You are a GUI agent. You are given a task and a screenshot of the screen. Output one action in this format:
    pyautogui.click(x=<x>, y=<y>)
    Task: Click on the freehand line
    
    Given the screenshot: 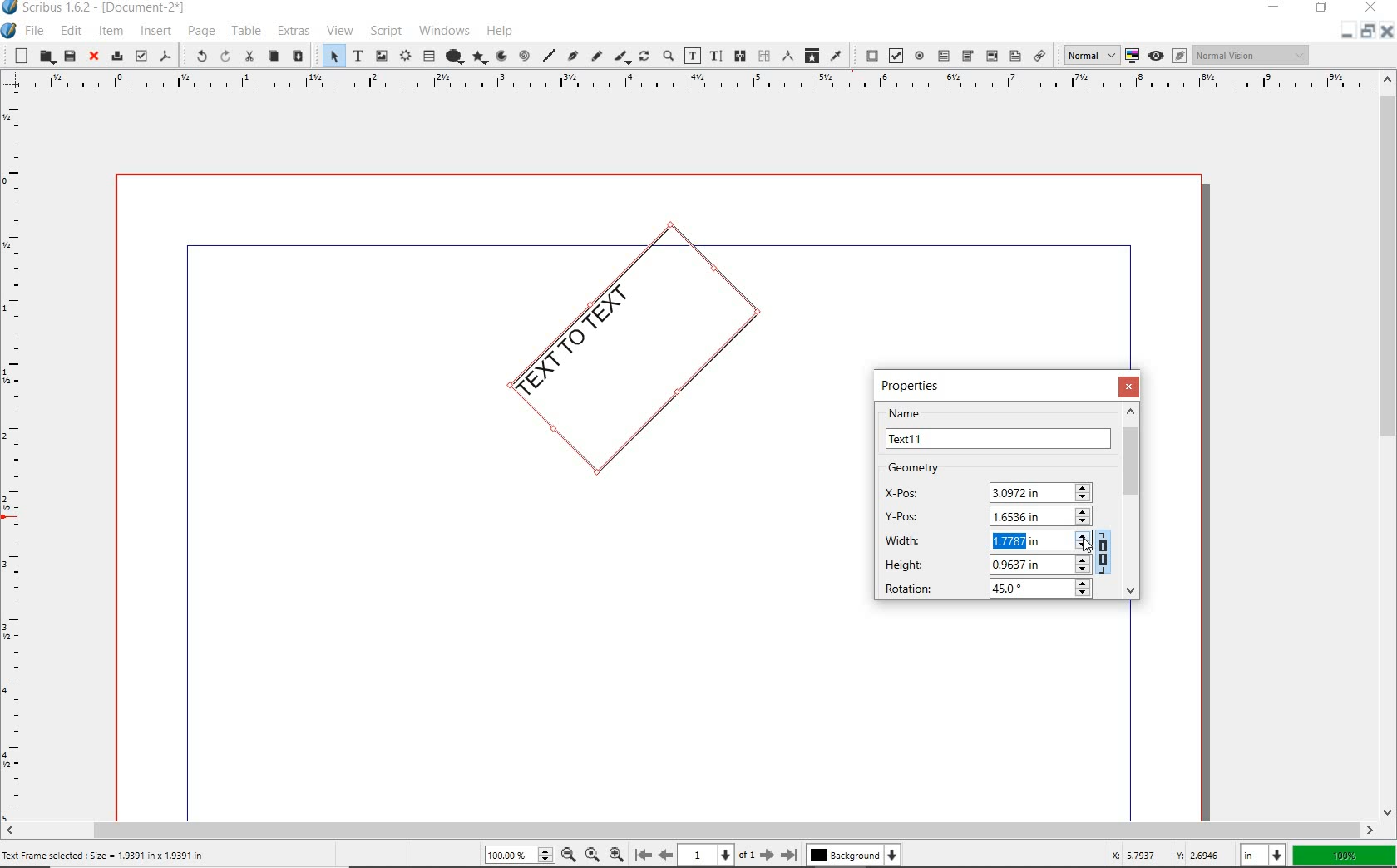 What is the action you would take?
    pyautogui.click(x=597, y=55)
    